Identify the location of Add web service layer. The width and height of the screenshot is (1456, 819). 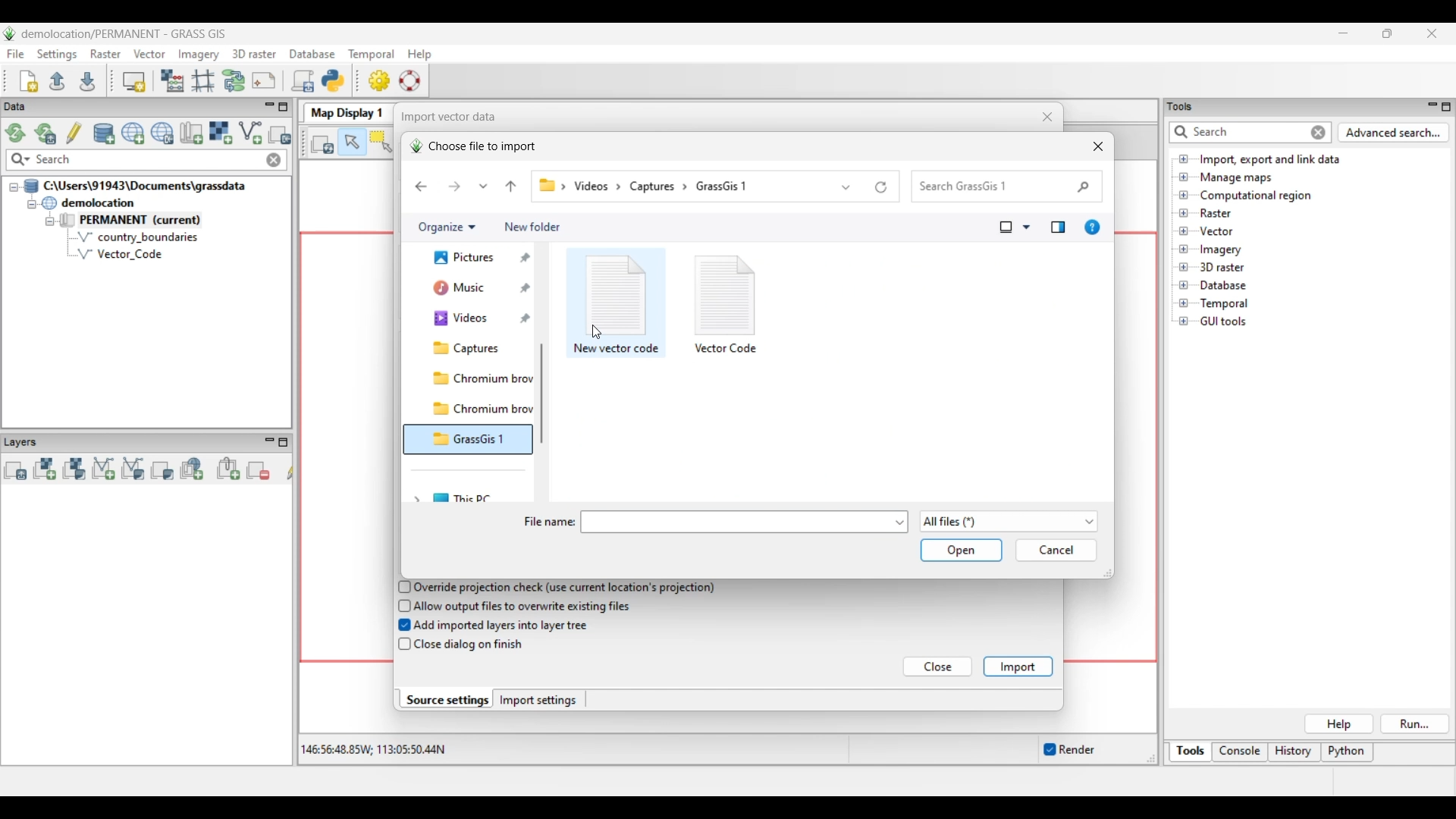
(192, 469).